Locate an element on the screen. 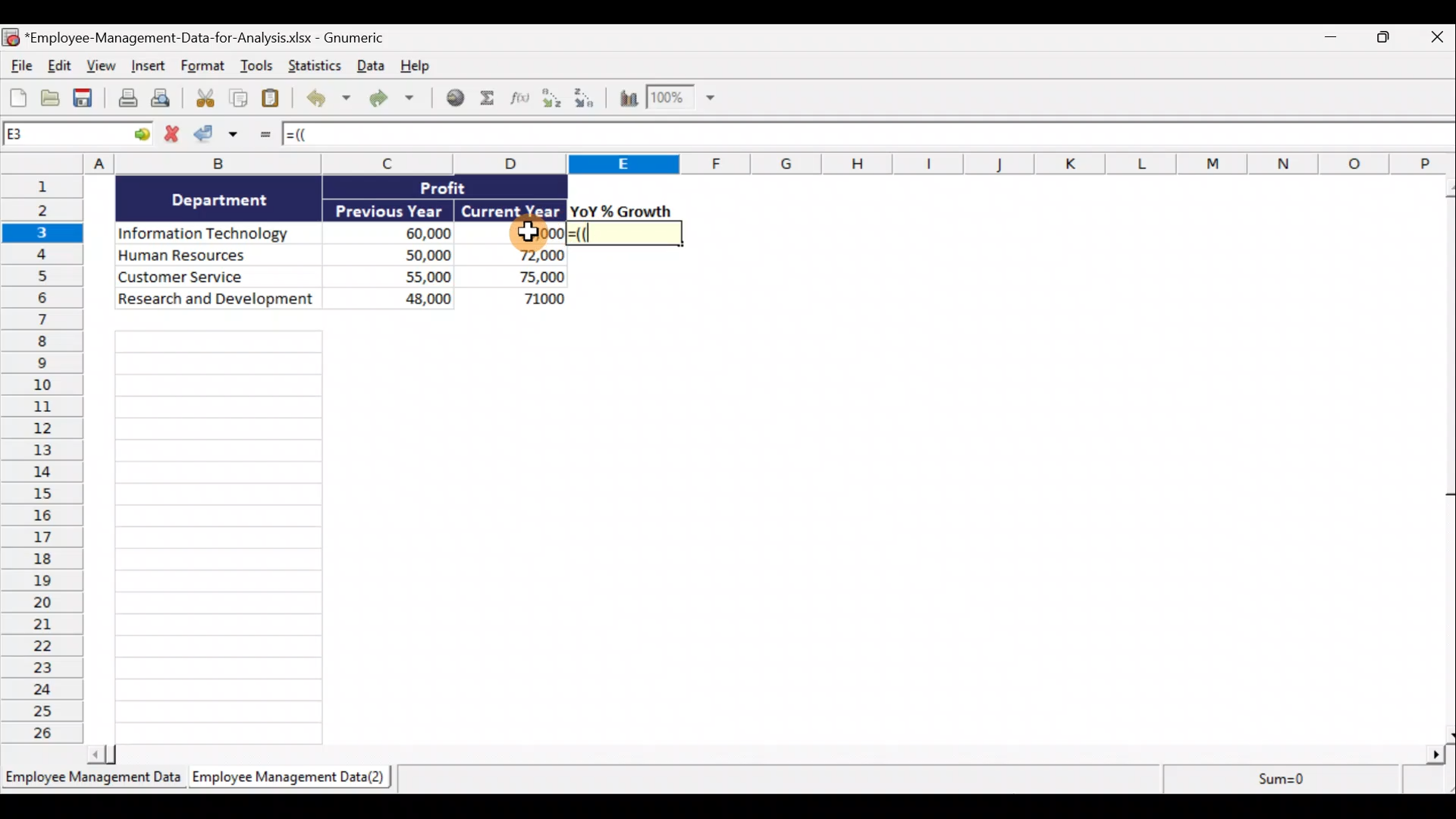 The width and height of the screenshot is (1456, 819). Scroll bar is located at coordinates (1447, 460).